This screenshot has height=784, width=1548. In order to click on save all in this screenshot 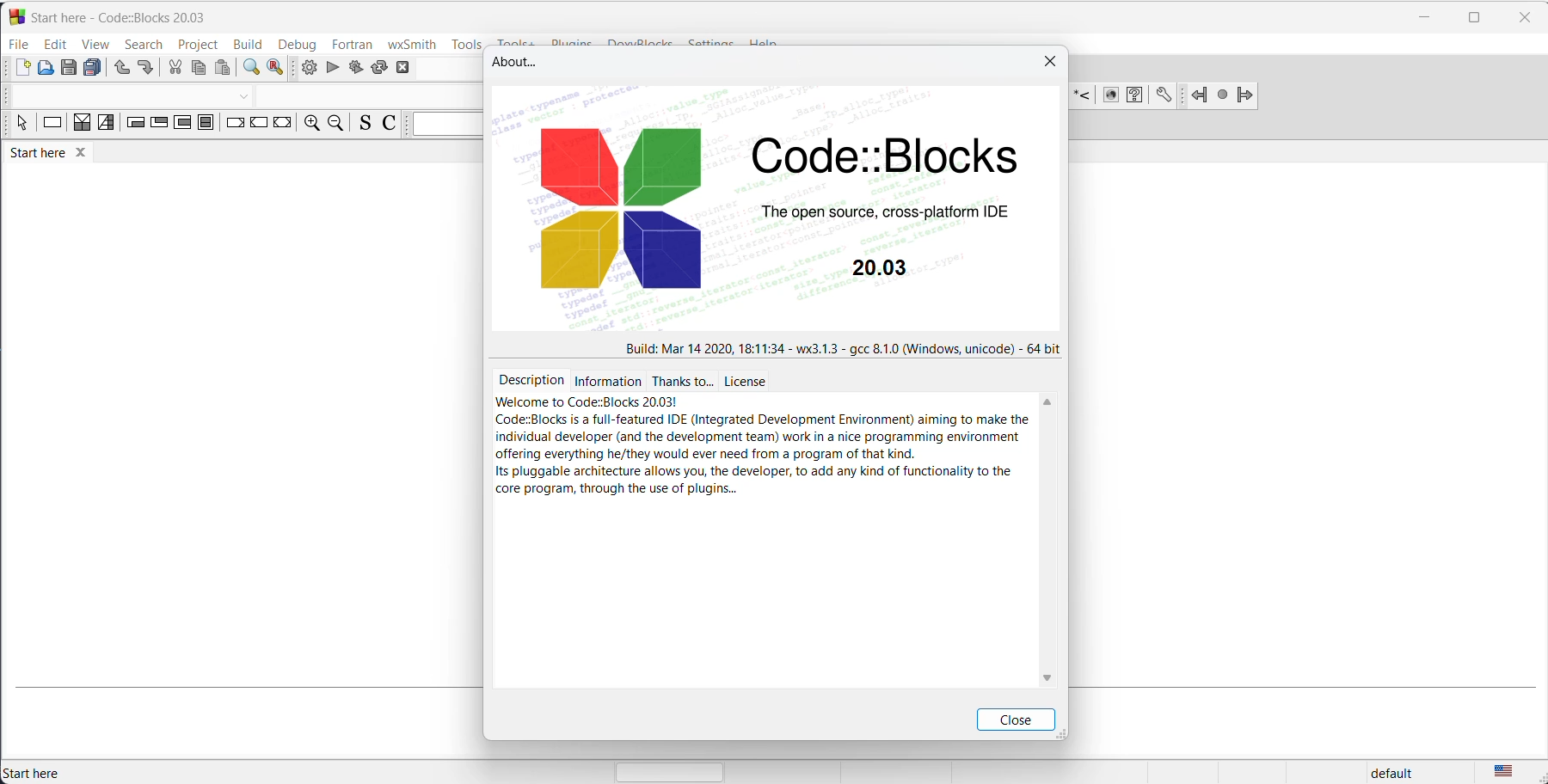, I will do `click(94, 70)`.